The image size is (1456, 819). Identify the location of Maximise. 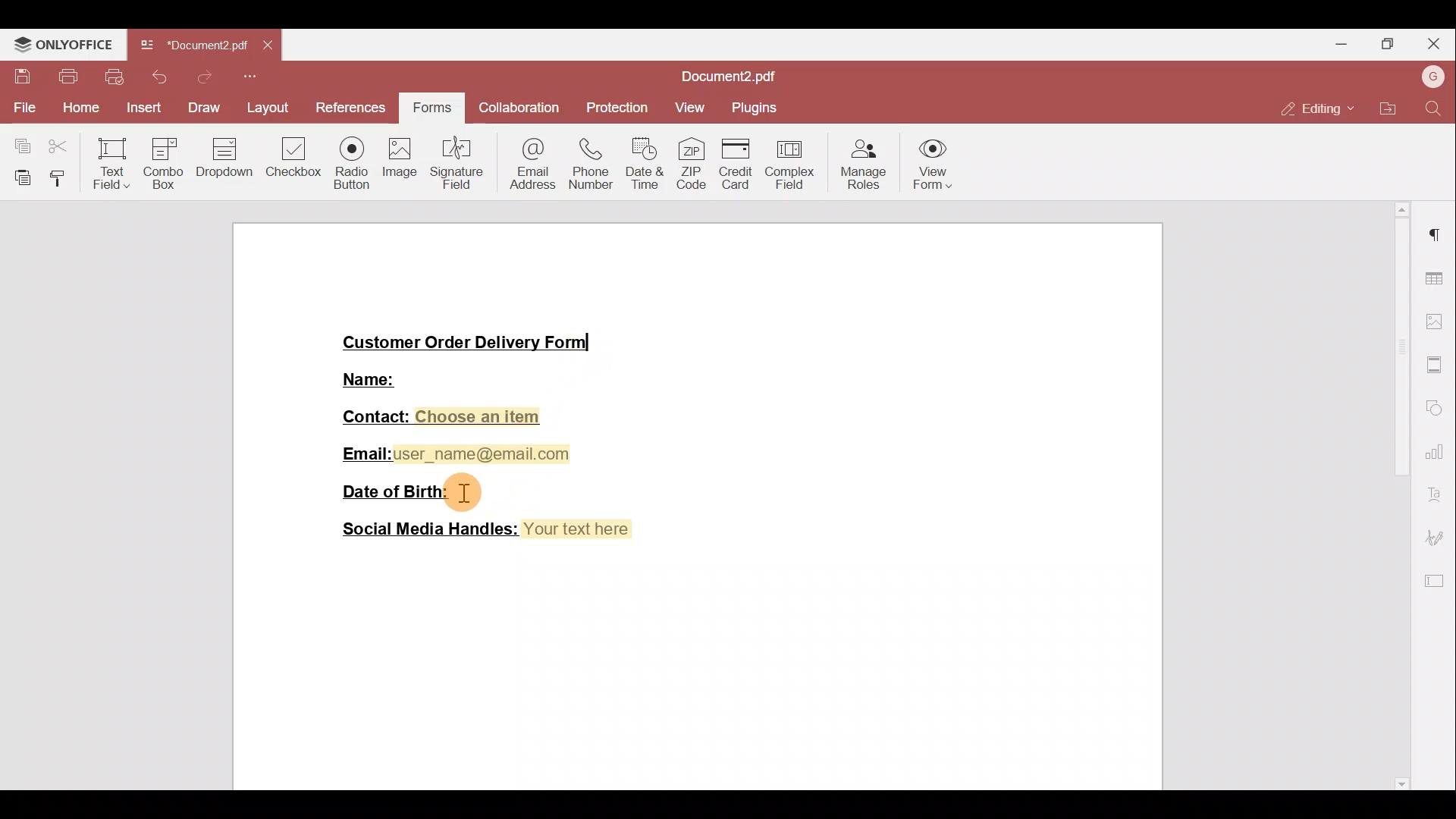
(1389, 42).